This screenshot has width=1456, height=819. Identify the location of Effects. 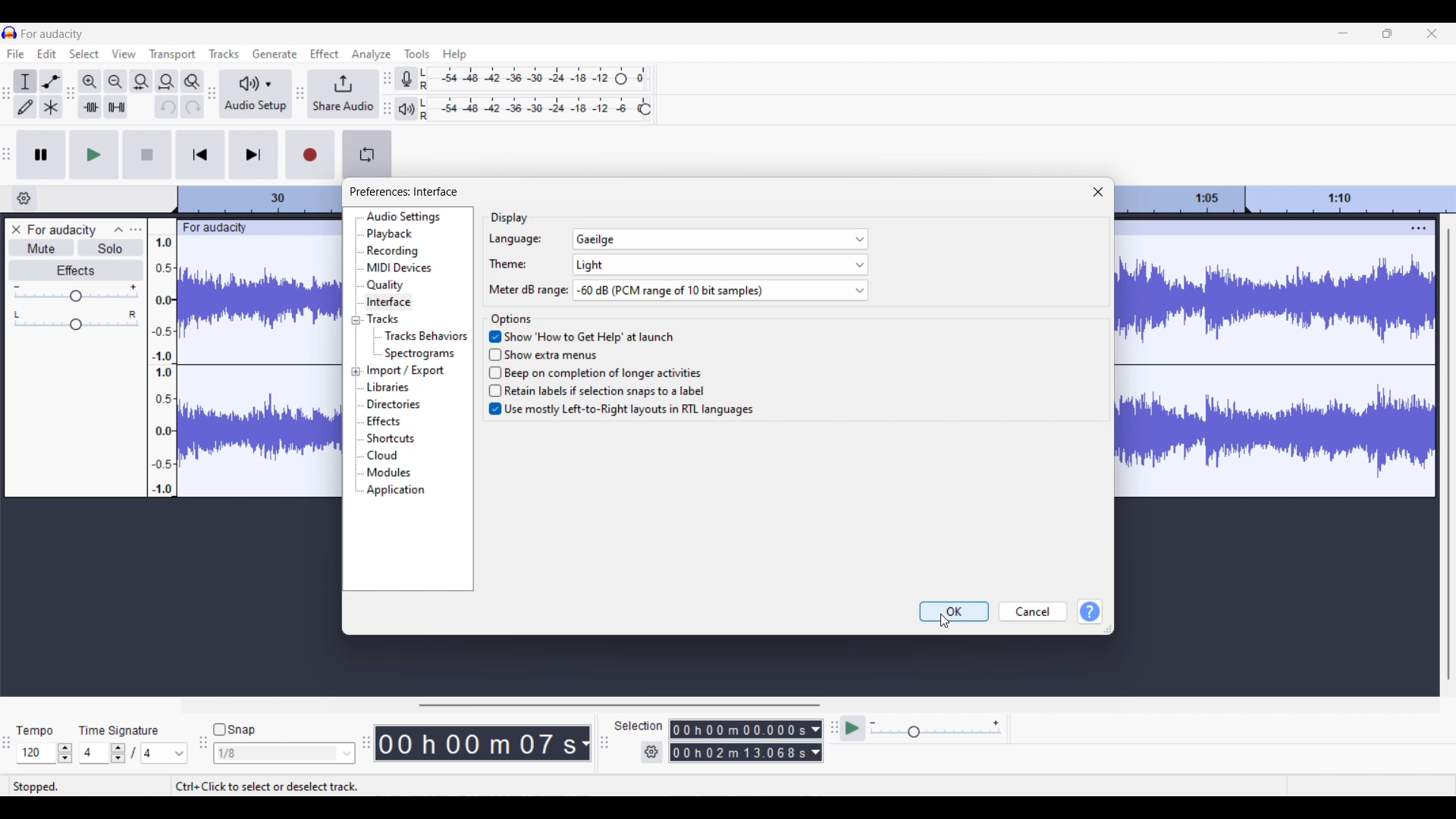
(77, 271).